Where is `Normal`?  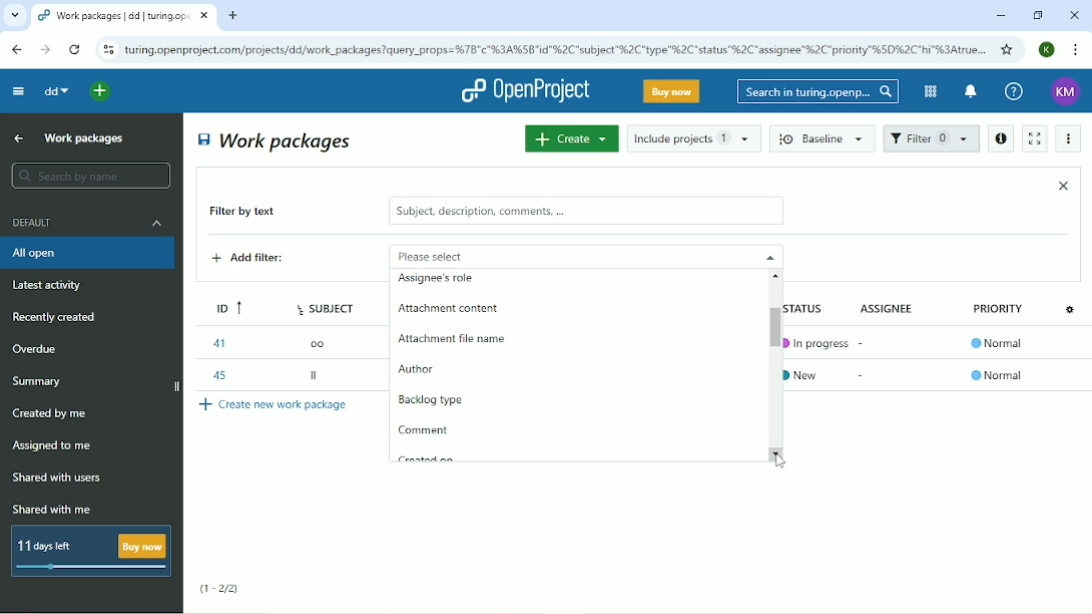
Normal is located at coordinates (1000, 345).